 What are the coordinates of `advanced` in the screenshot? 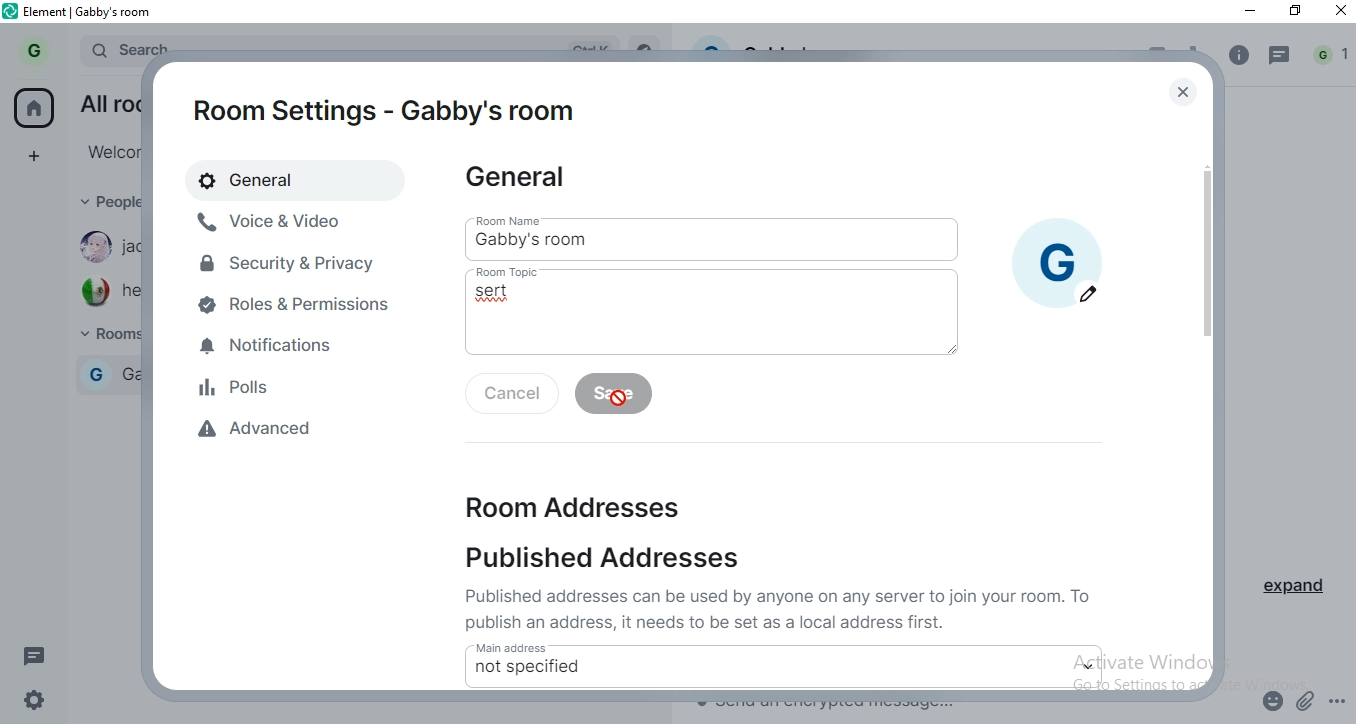 It's located at (317, 432).